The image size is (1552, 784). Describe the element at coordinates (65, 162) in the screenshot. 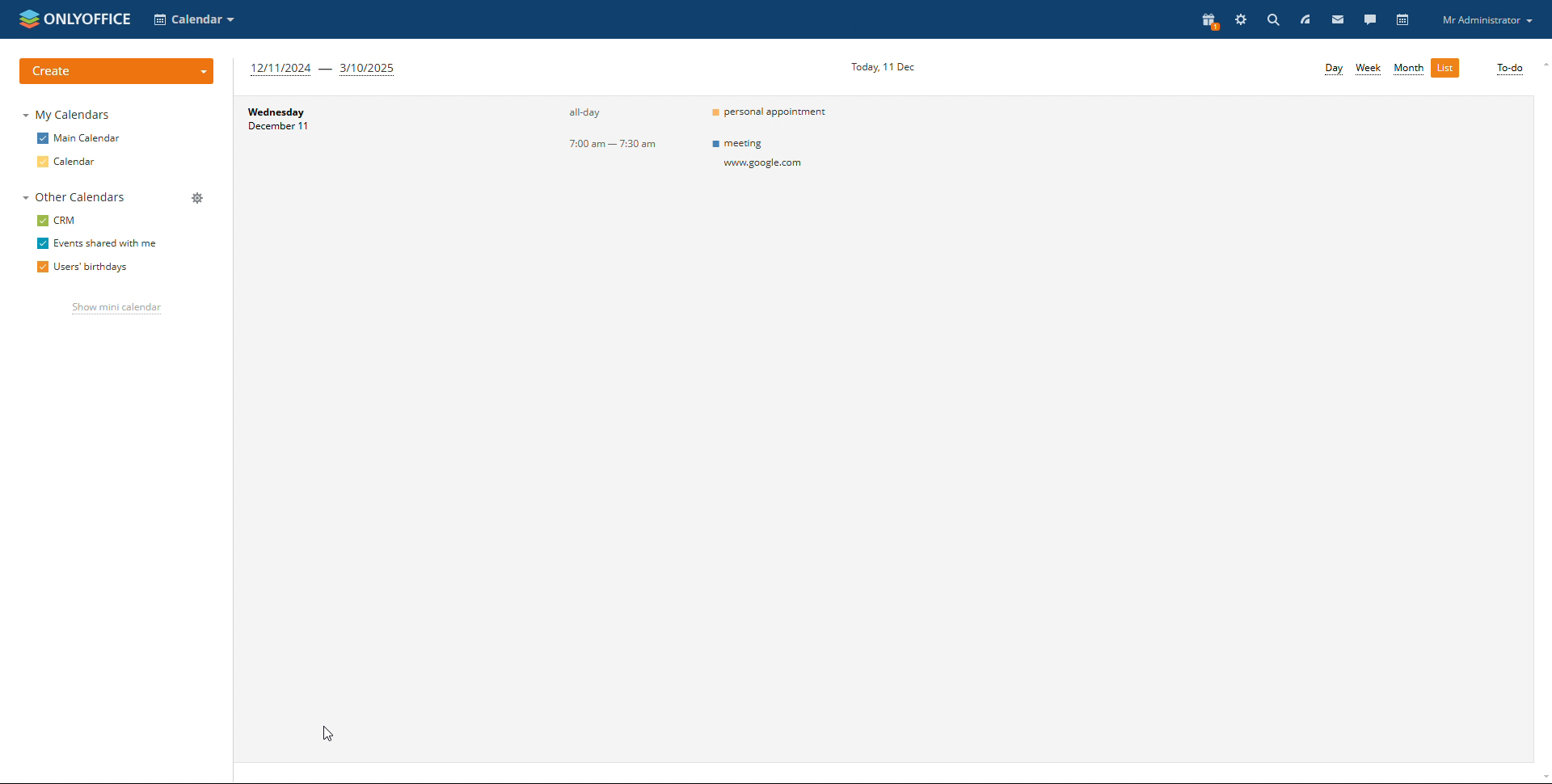

I see `calendar` at that location.